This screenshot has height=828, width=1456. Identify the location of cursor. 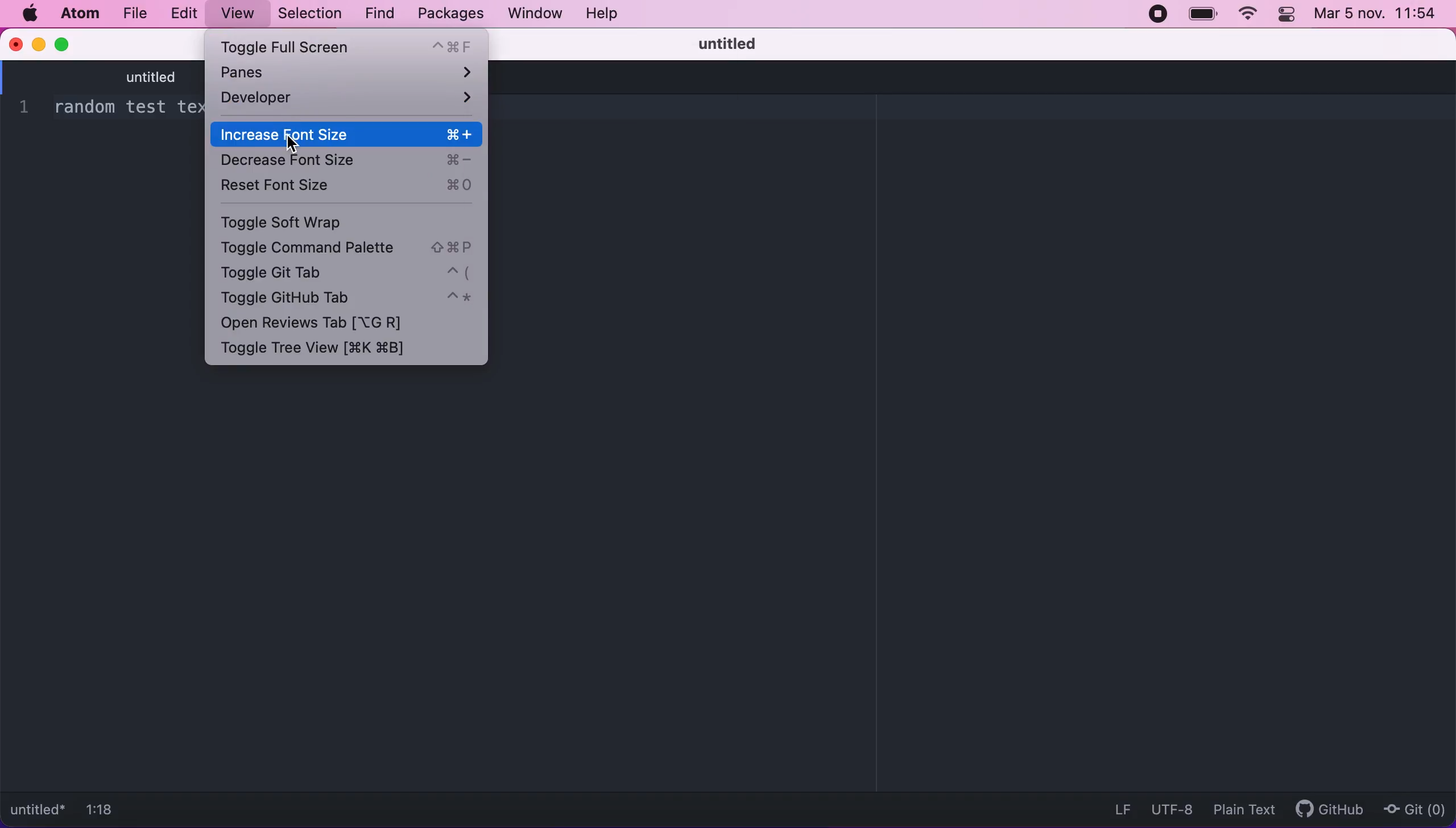
(289, 143).